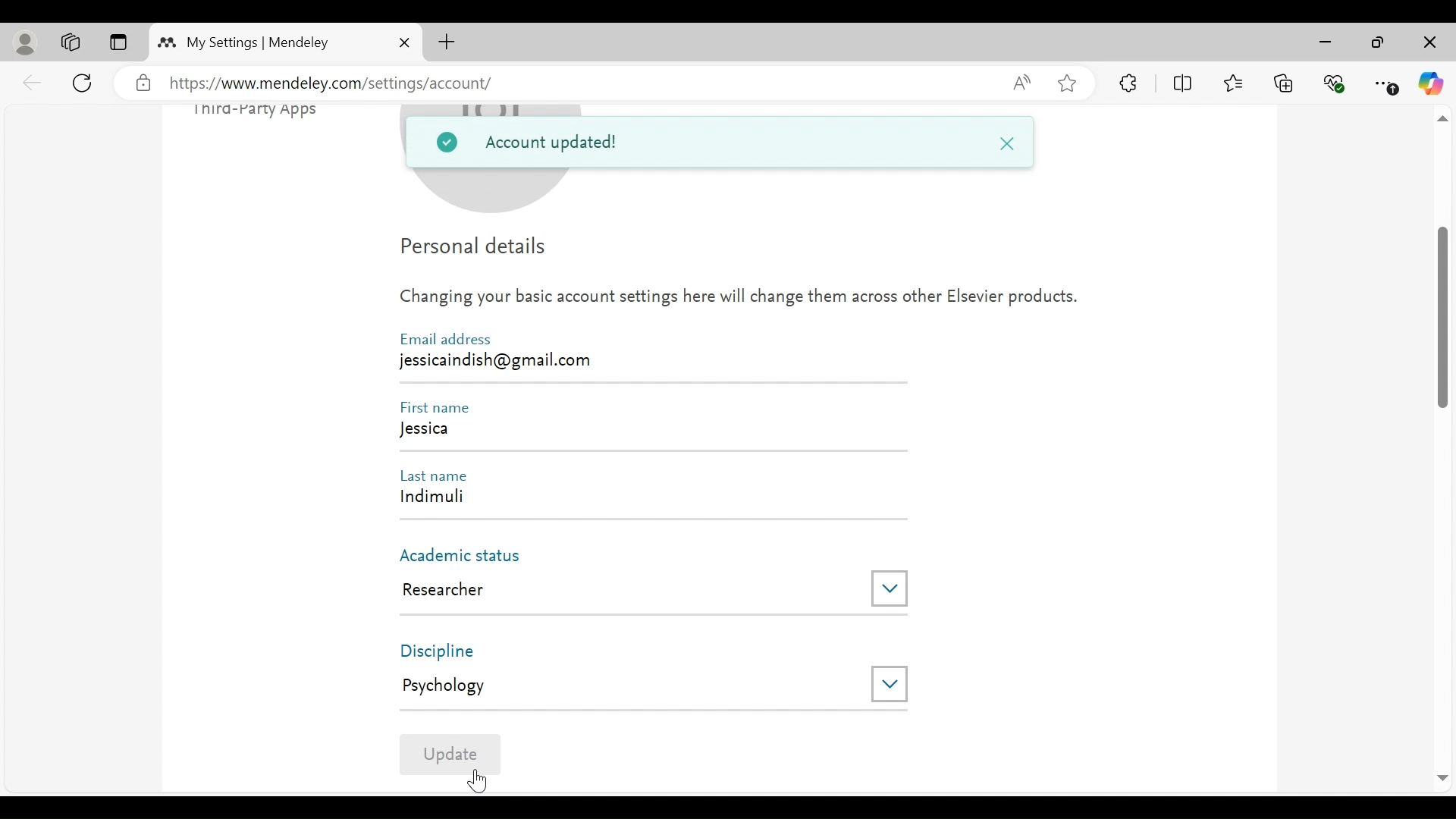  I want to click on Close, so click(1007, 142).